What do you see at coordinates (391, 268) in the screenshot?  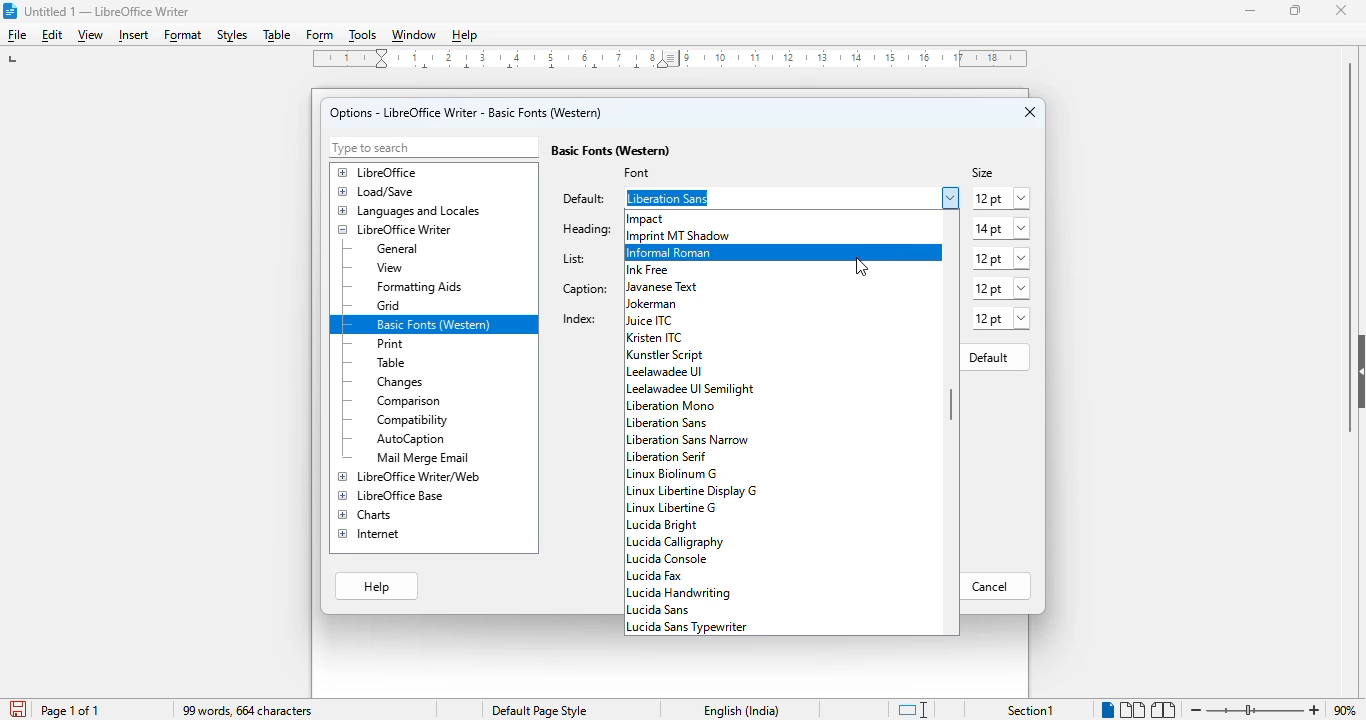 I see `view` at bounding box center [391, 268].